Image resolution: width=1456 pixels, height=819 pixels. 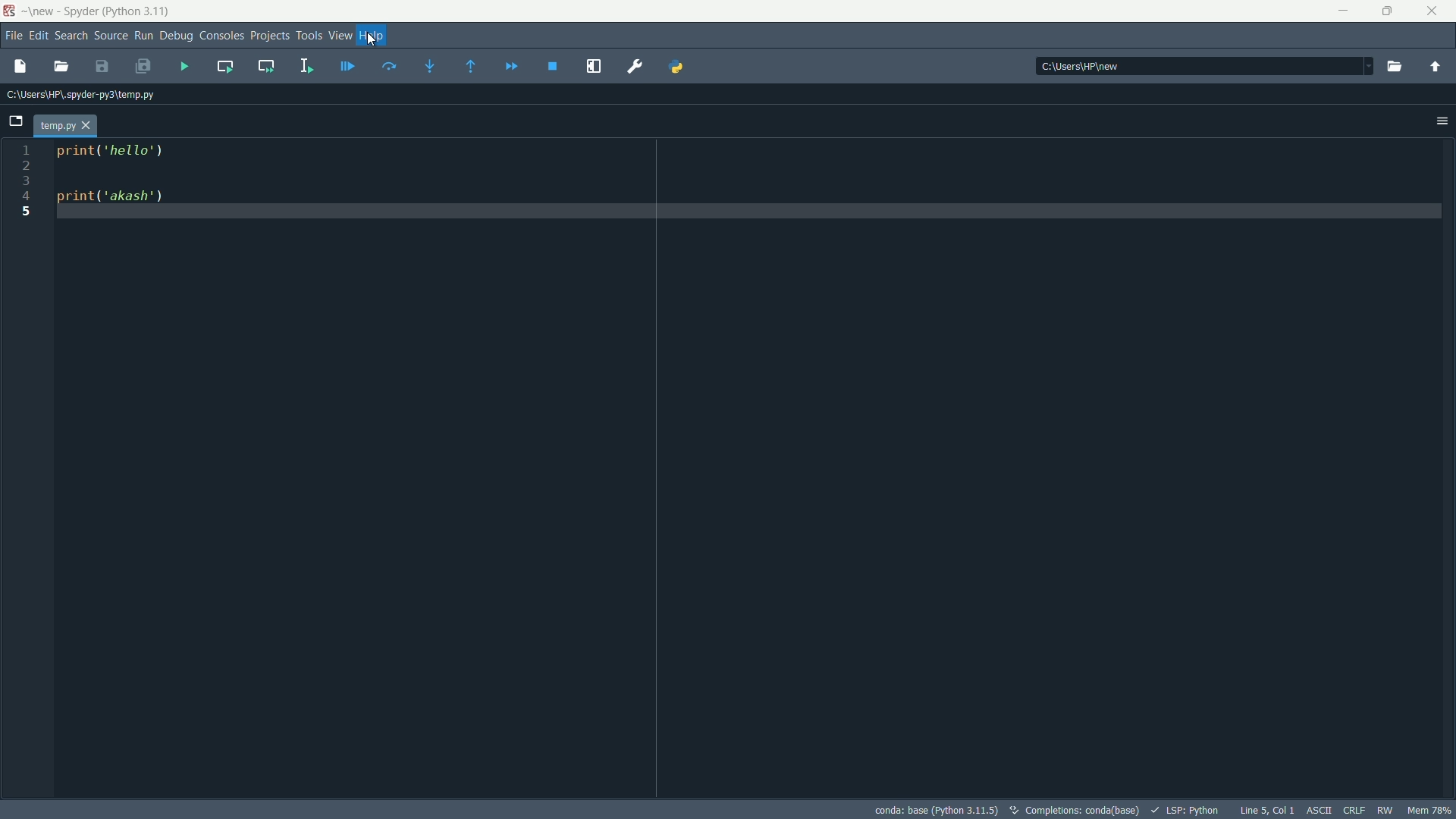 What do you see at coordinates (431, 65) in the screenshot?
I see `step into funtion or method` at bounding box center [431, 65].